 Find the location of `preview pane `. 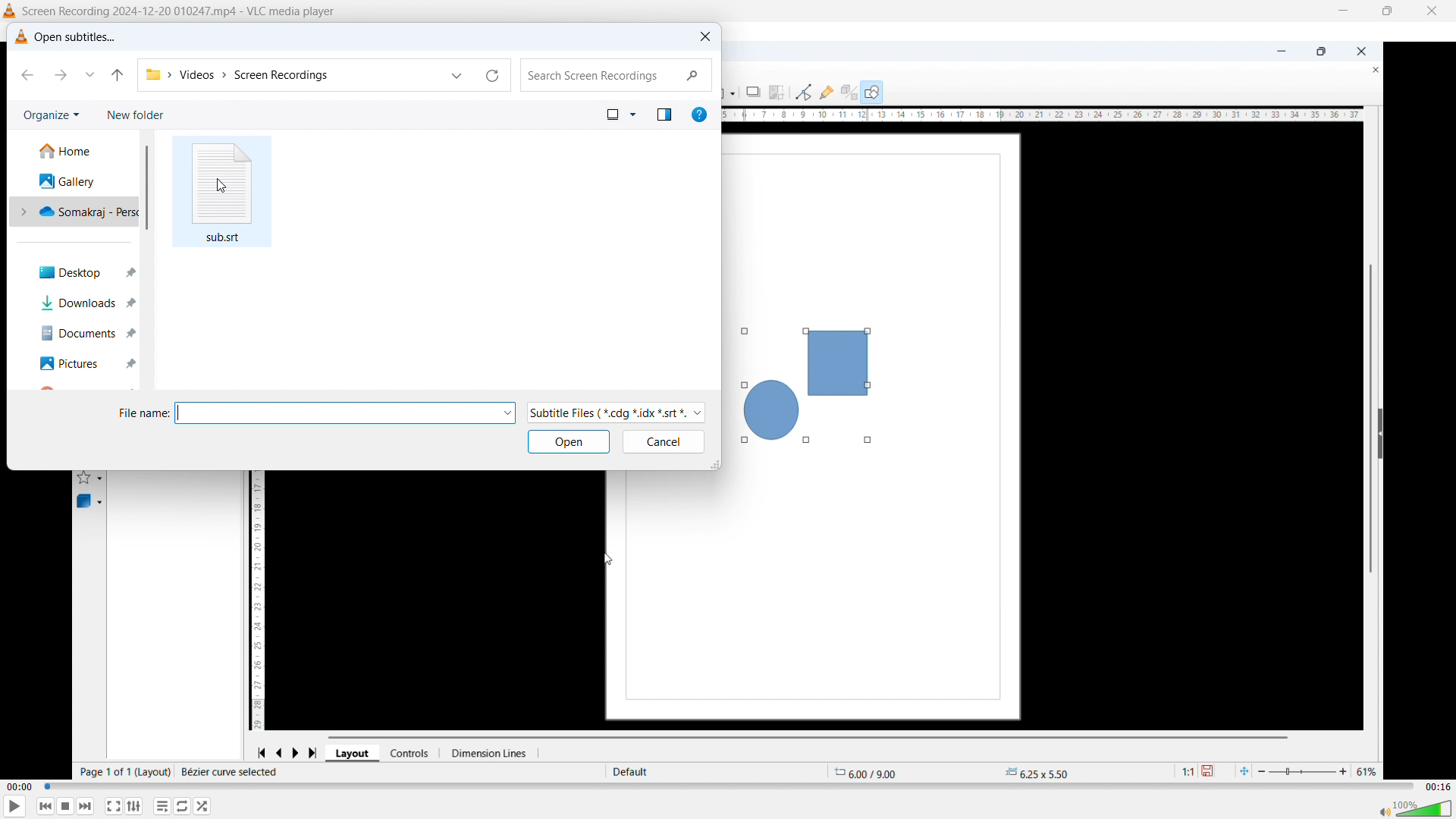

preview pane  is located at coordinates (664, 114).